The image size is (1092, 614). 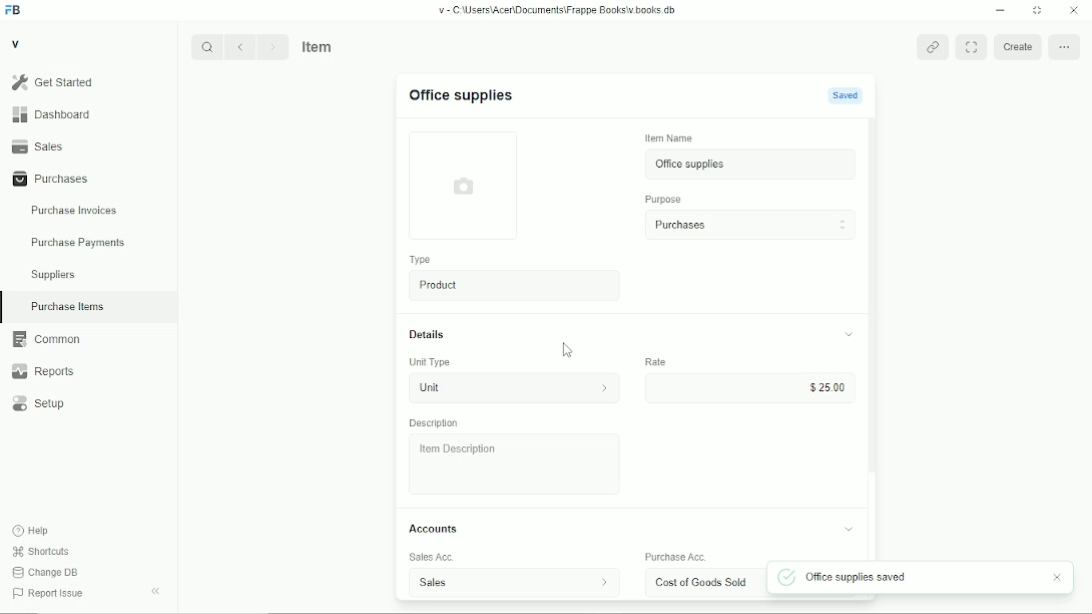 What do you see at coordinates (664, 200) in the screenshot?
I see `purpose` at bounding box center [664, 200].